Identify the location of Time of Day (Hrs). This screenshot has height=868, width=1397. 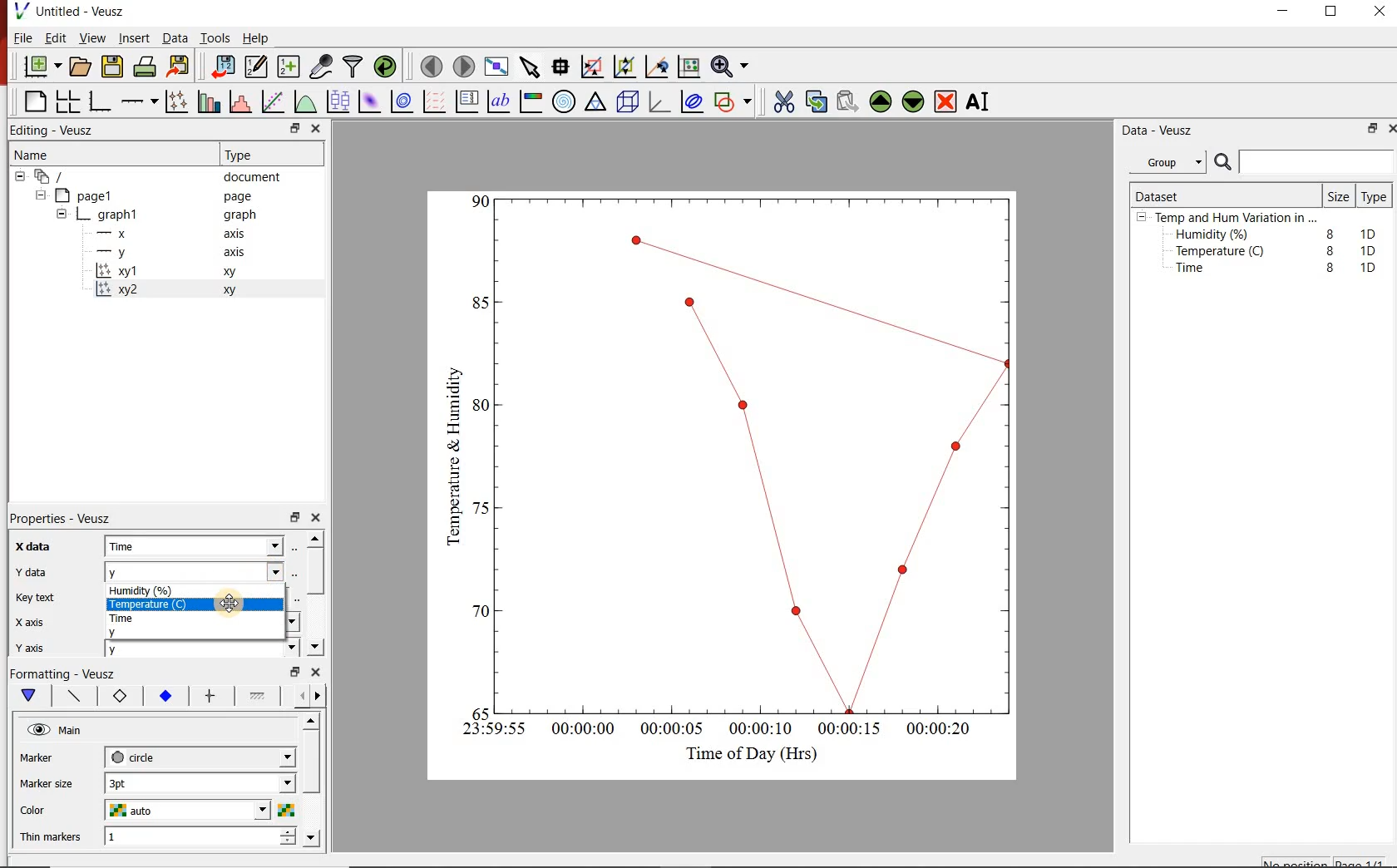
(745, 753).